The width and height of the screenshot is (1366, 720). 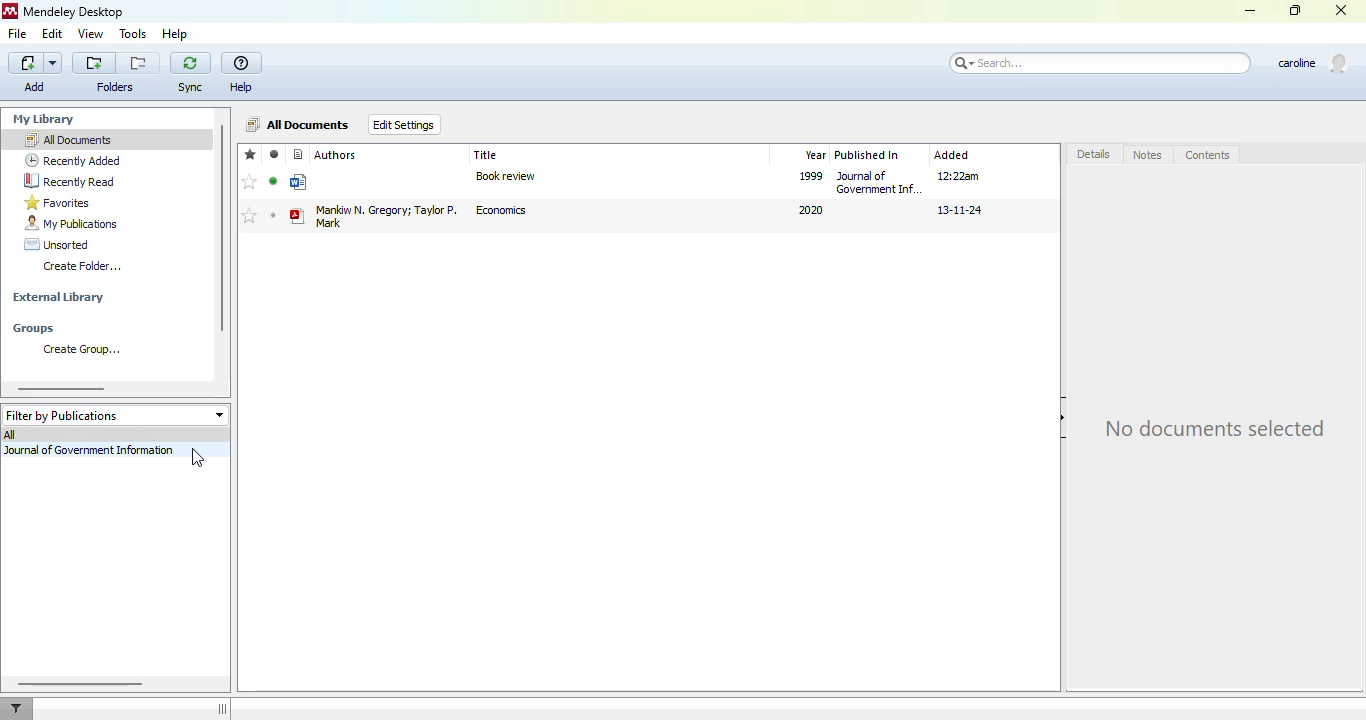 What do you see at coordinates (404, 125) in the screenshot?
I see `edit settings` at bounding box center [404, 125].